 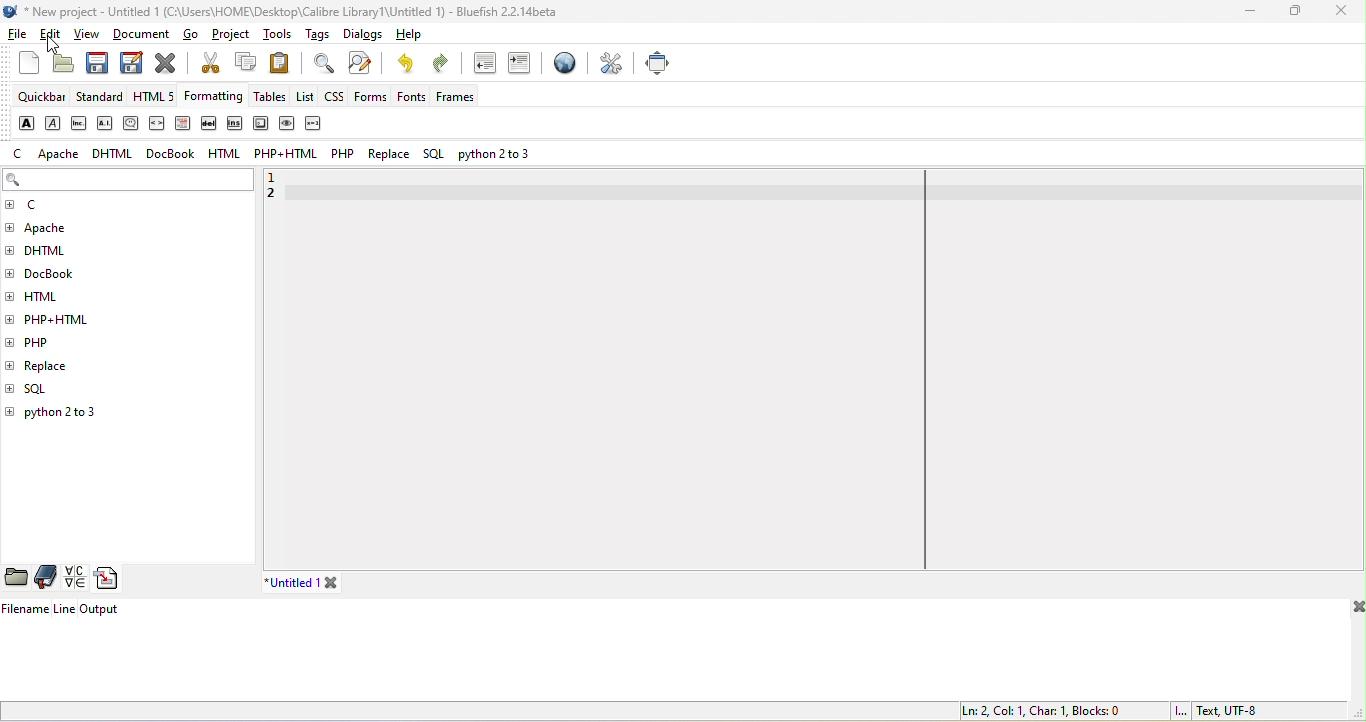 What do you see at coordinates (562, 67) in the screenshot?
I see `browser` at bounding box center [562, 67].